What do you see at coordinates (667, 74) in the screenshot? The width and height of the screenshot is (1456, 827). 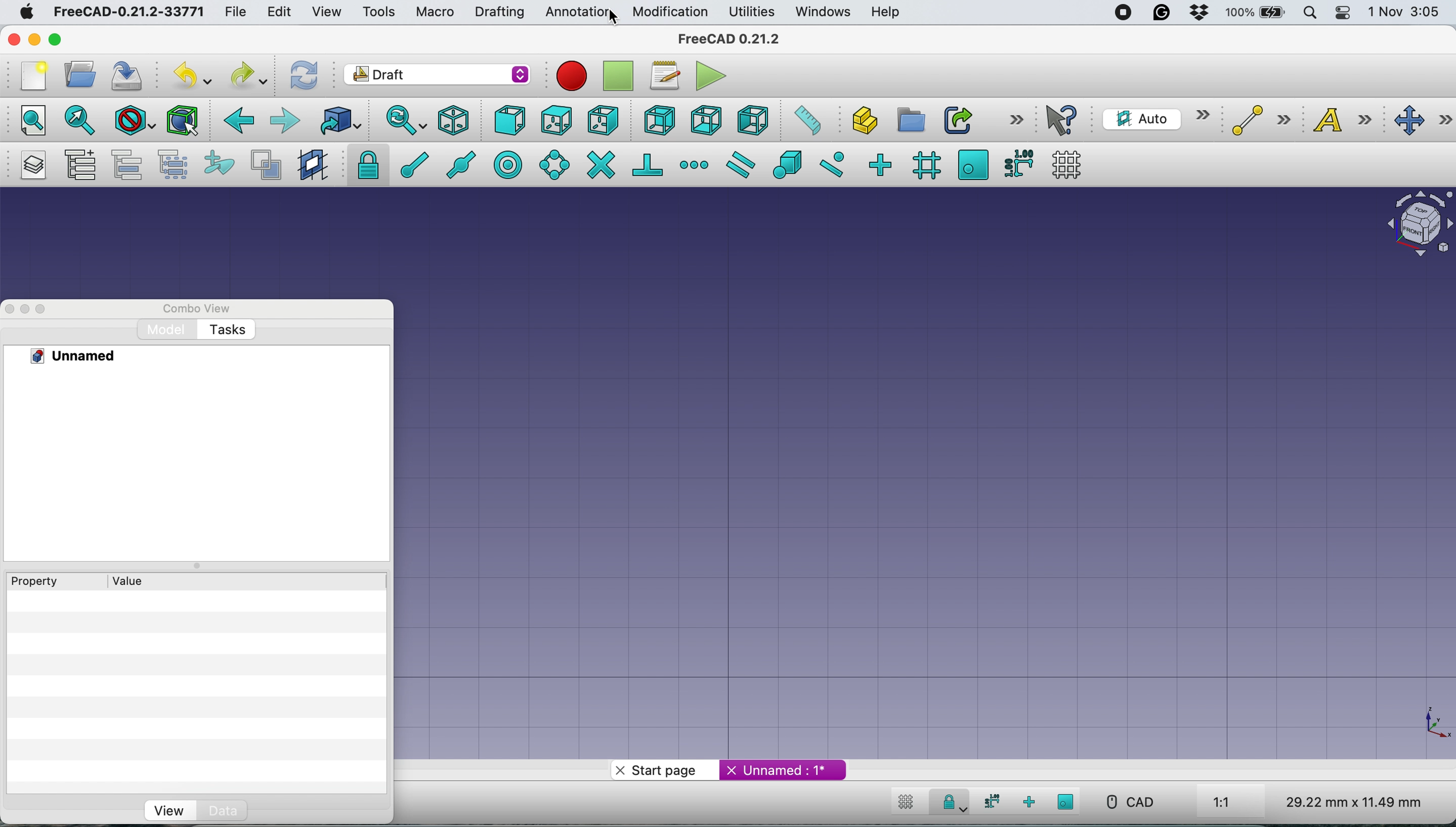 I see `macros` at bounding box center [667, 74].